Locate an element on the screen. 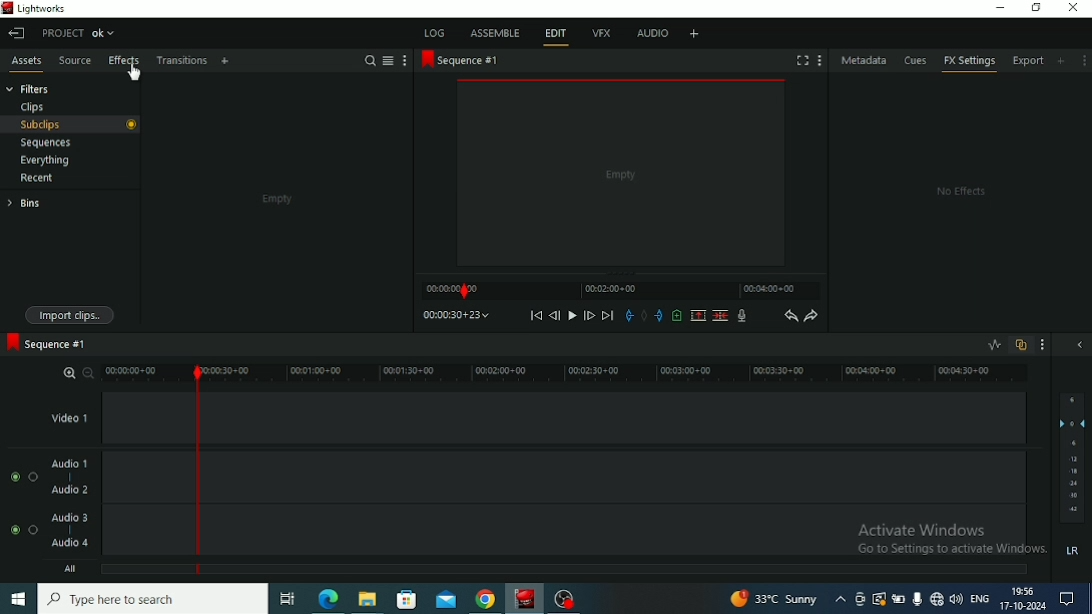 This screenshot has height=614, width=1092. Import clips is located at coordinates (69, 313).